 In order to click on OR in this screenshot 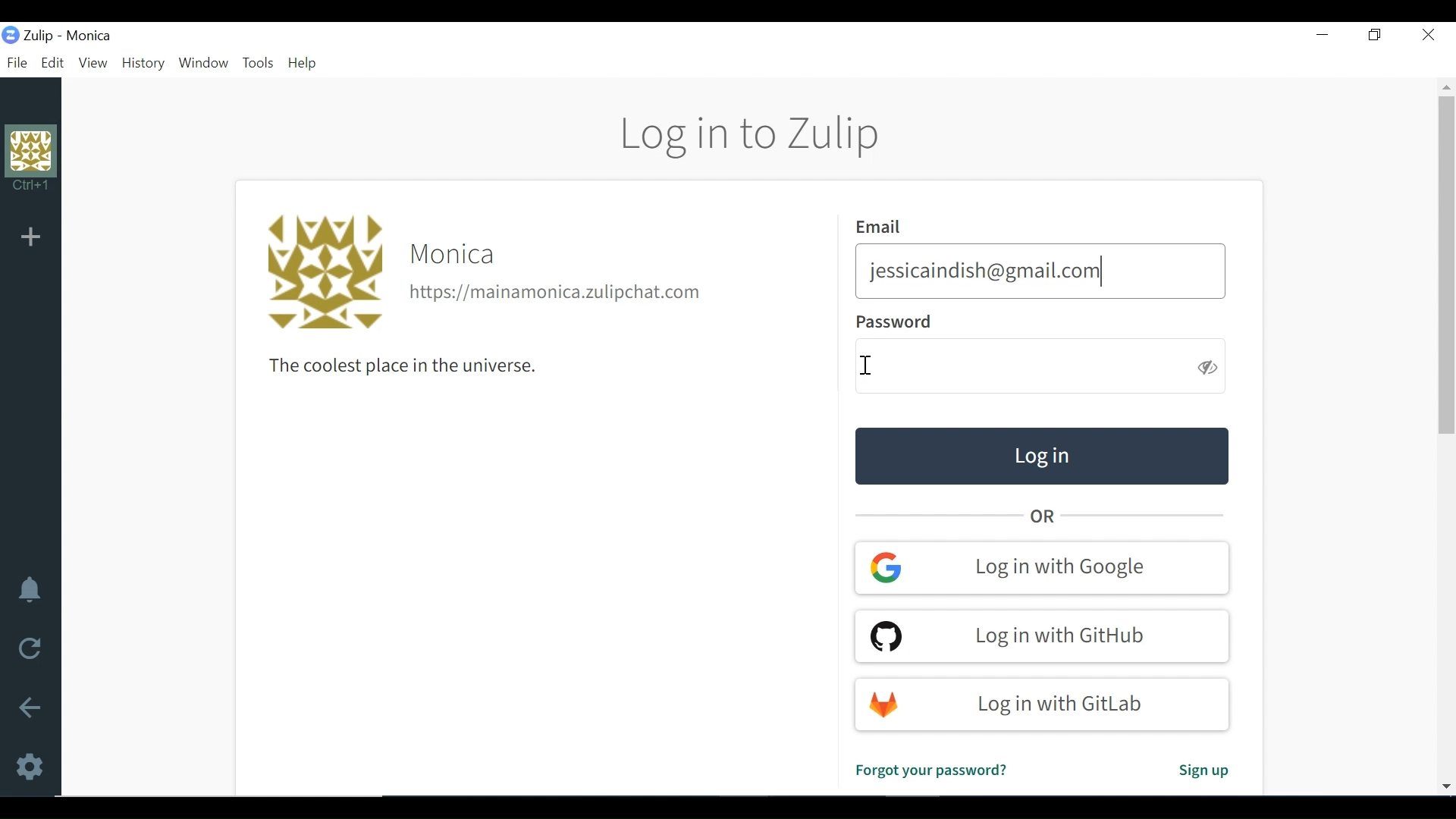, I will do `click(1046, 516)`.